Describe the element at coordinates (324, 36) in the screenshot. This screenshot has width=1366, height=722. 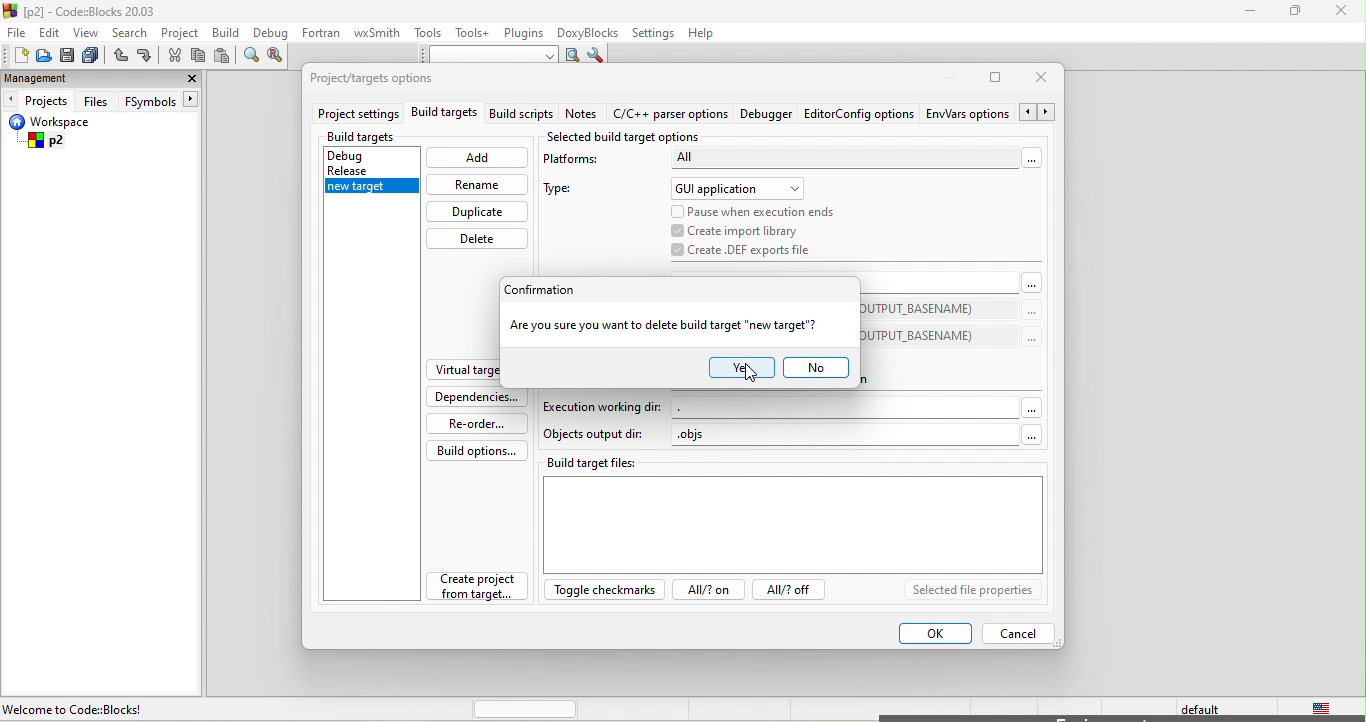
I see `fortran` at that location.